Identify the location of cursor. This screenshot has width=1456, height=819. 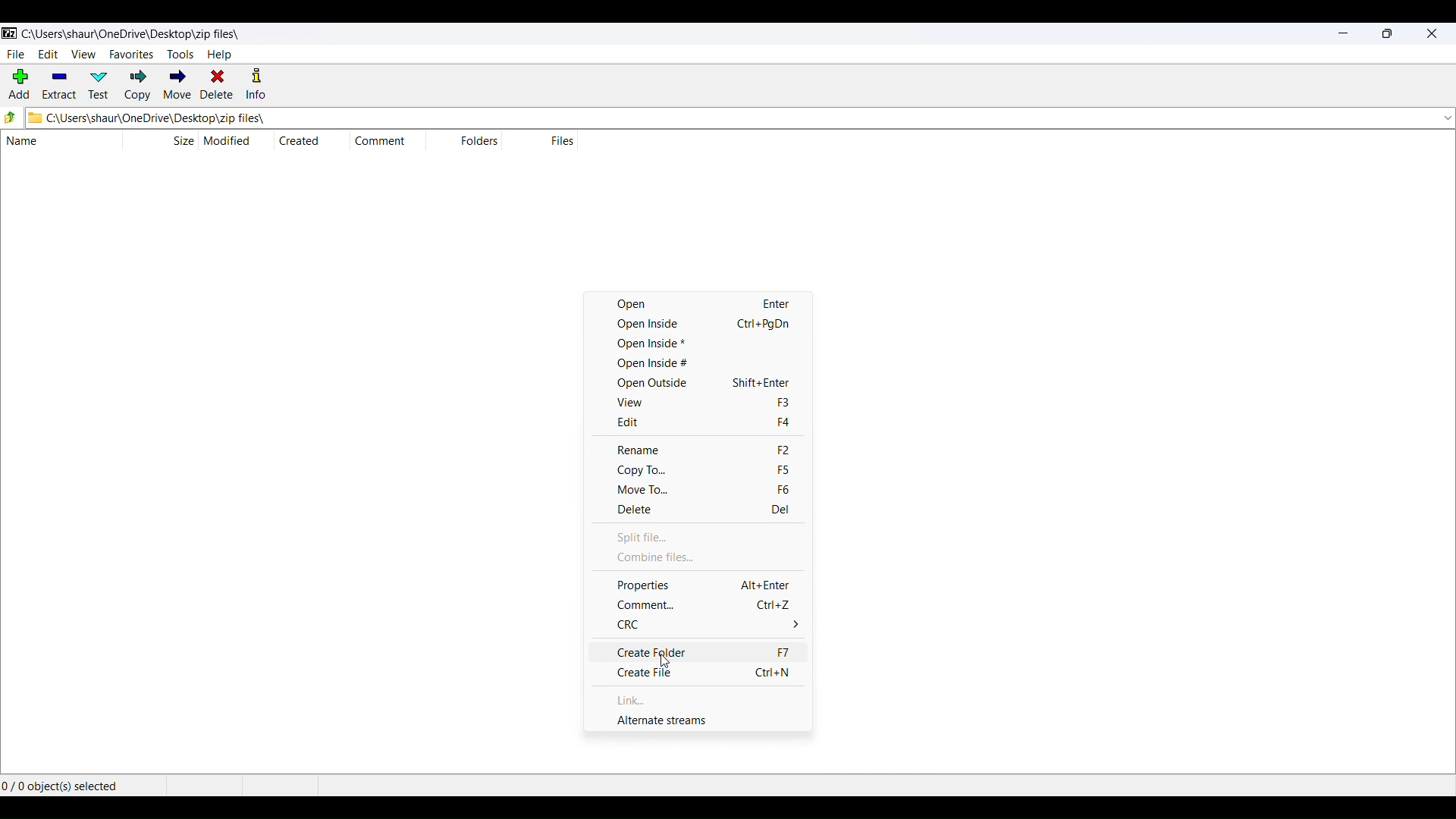
(667, 661).